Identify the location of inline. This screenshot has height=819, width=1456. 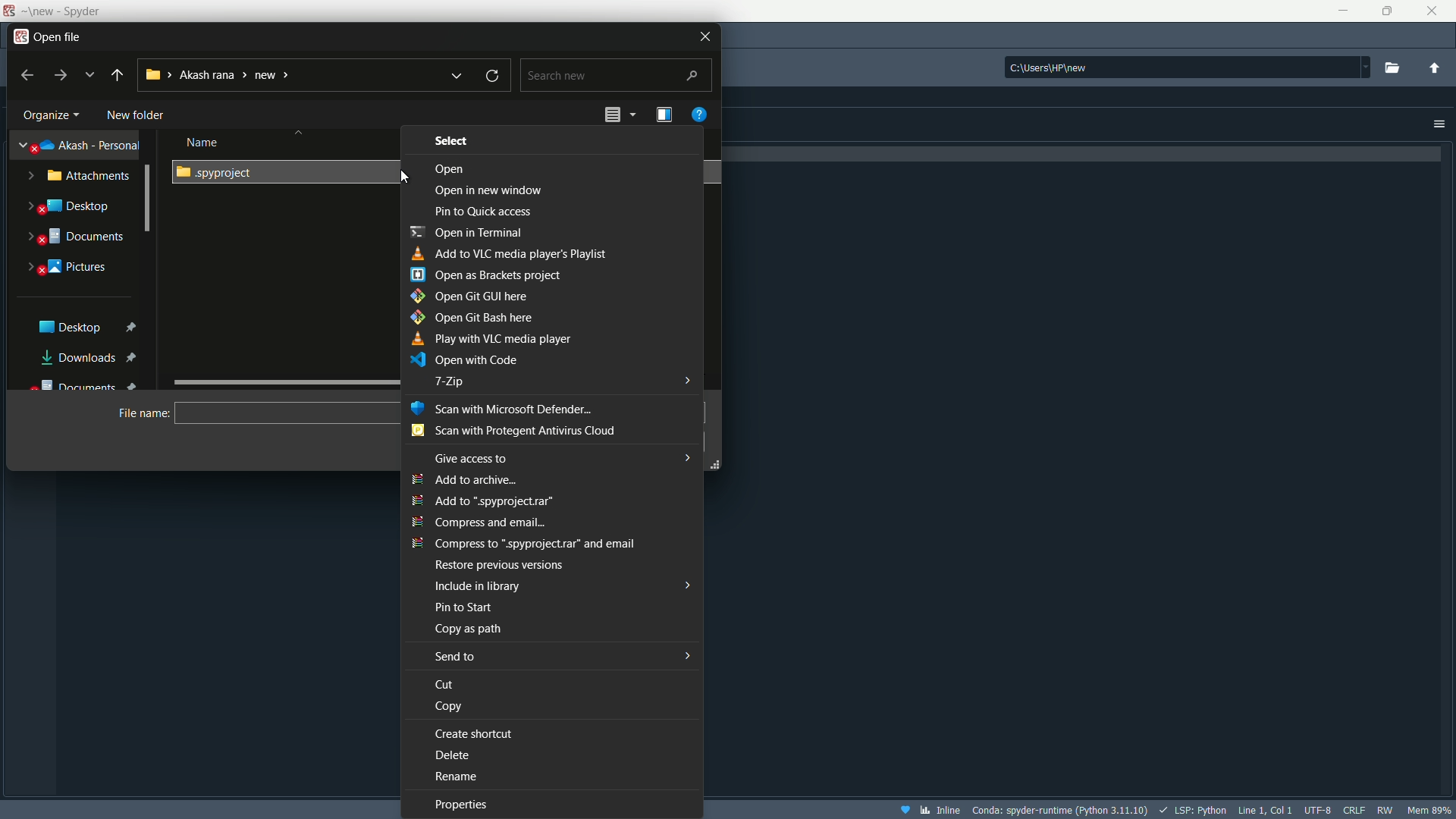
(929, 811).